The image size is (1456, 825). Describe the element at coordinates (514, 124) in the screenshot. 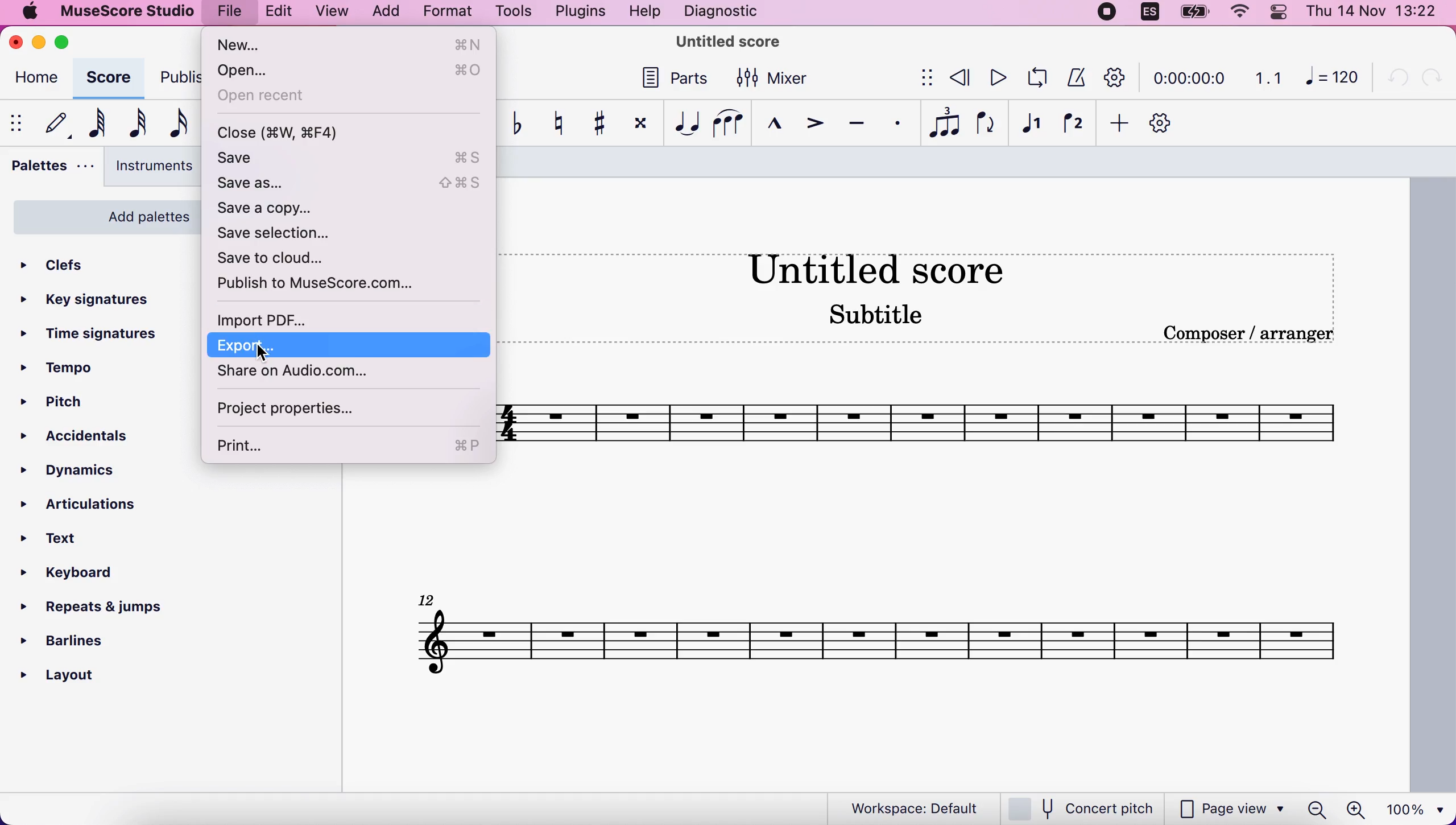

I see `toggle flat` at that location.